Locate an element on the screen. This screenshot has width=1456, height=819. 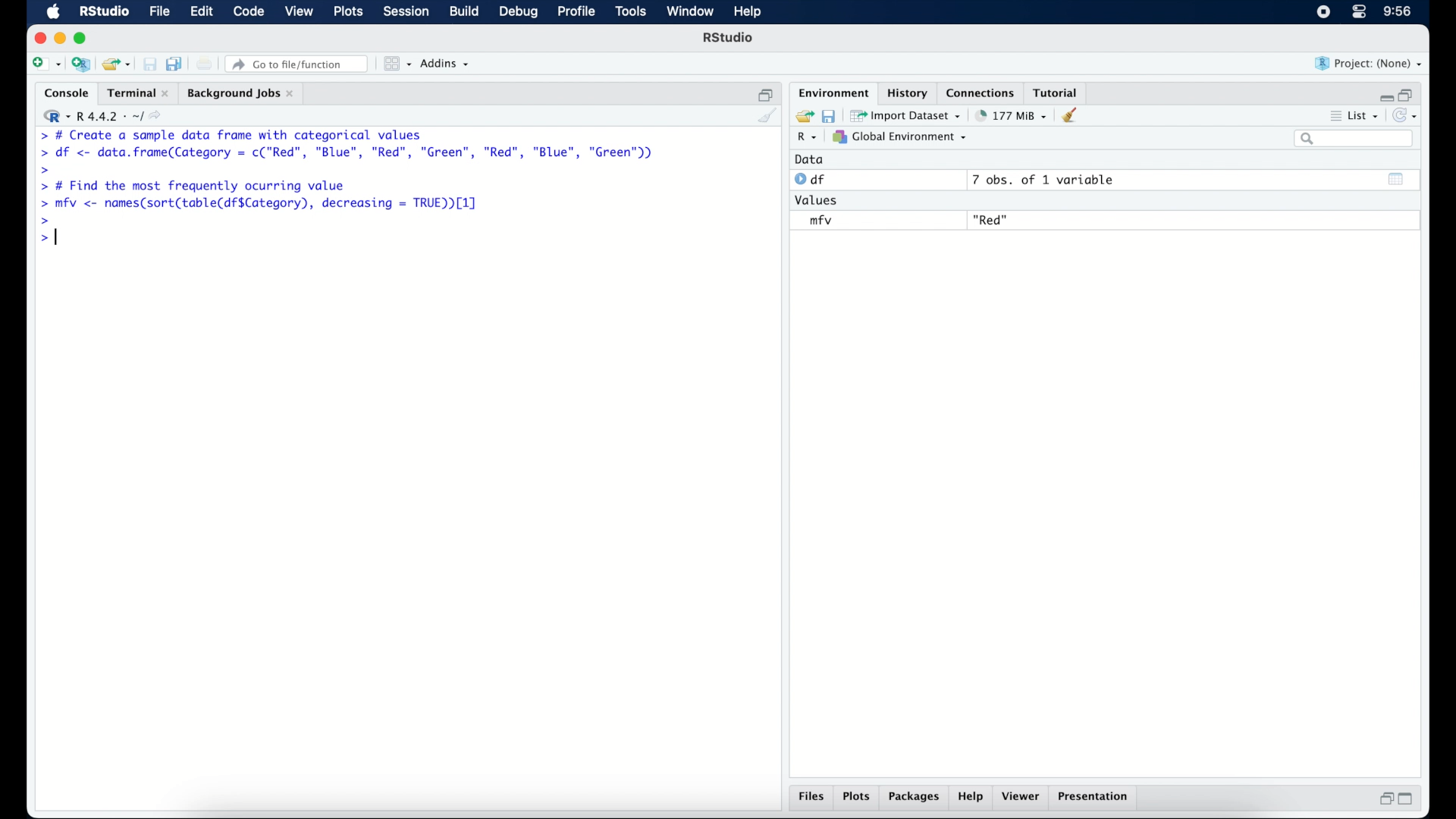
save is located at coordinates (147, 61).